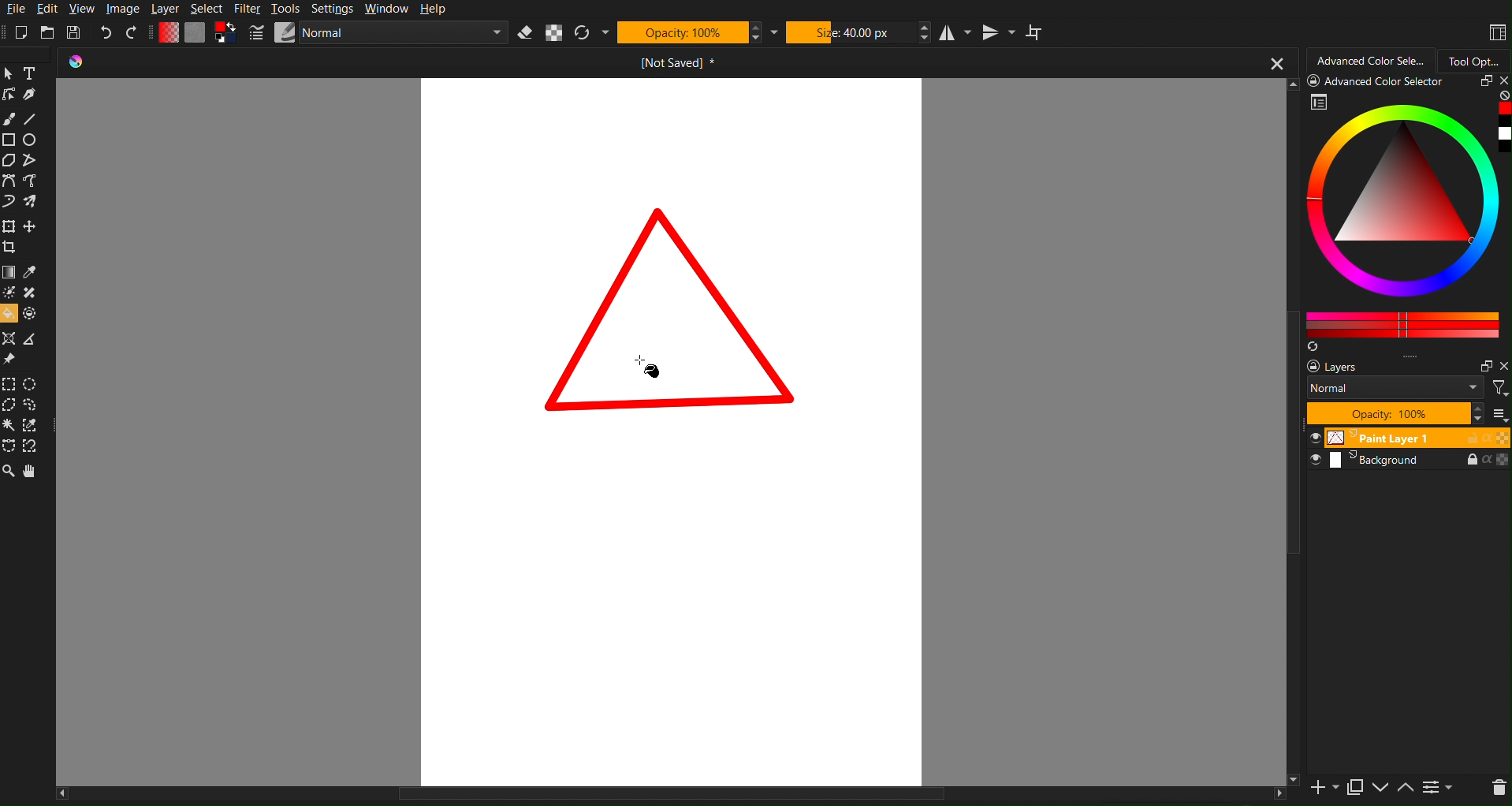 The width and height of the screenshot is (1512, 806). I want to click on elliptical Selection Tools, so click(32, 383).